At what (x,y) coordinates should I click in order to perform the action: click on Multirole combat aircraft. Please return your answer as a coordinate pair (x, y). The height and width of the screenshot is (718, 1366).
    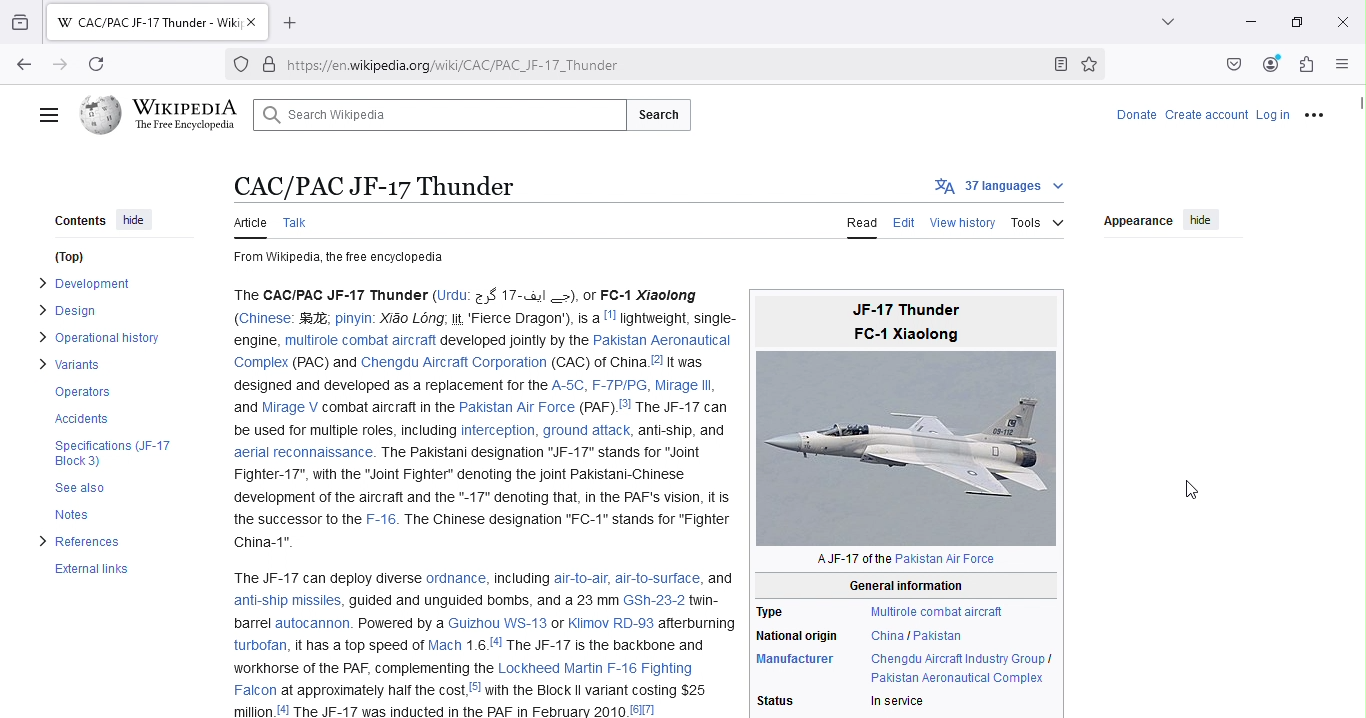
    Looking at the image, I should click on (931, 610).